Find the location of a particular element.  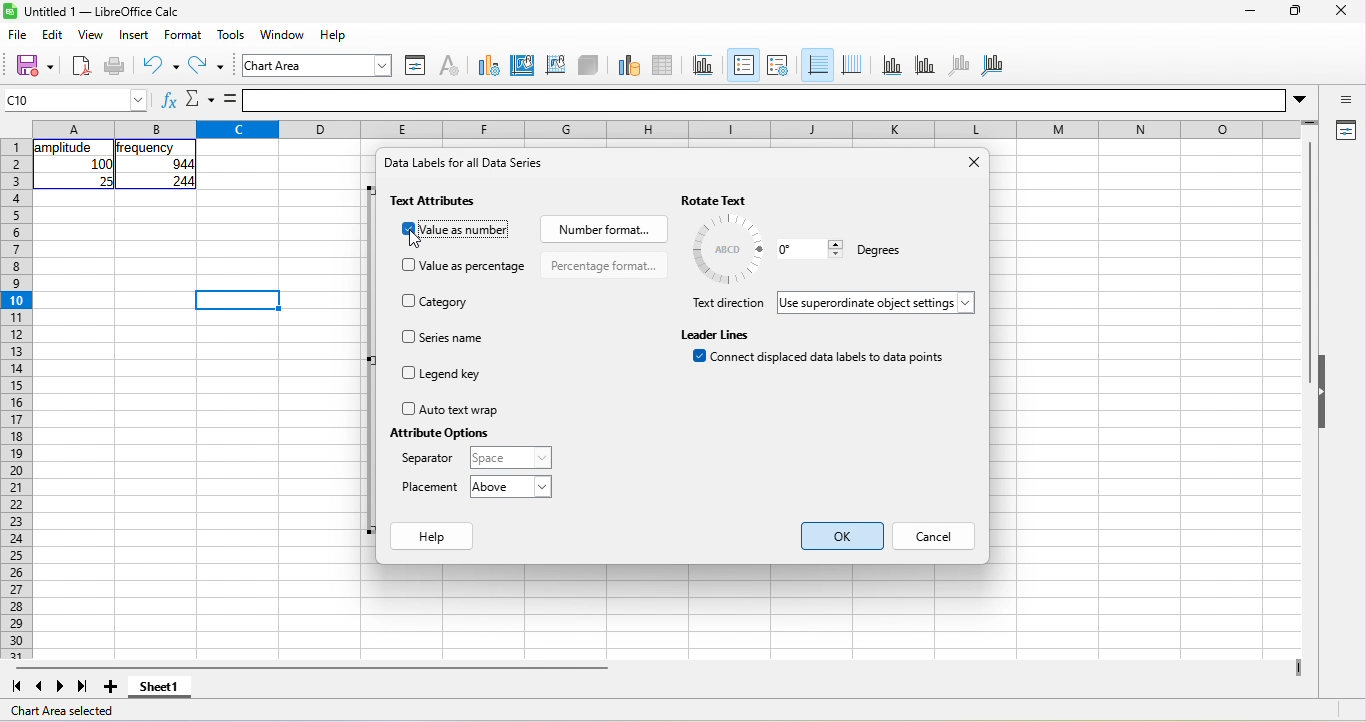

placement is located at coordinates (431, 488).